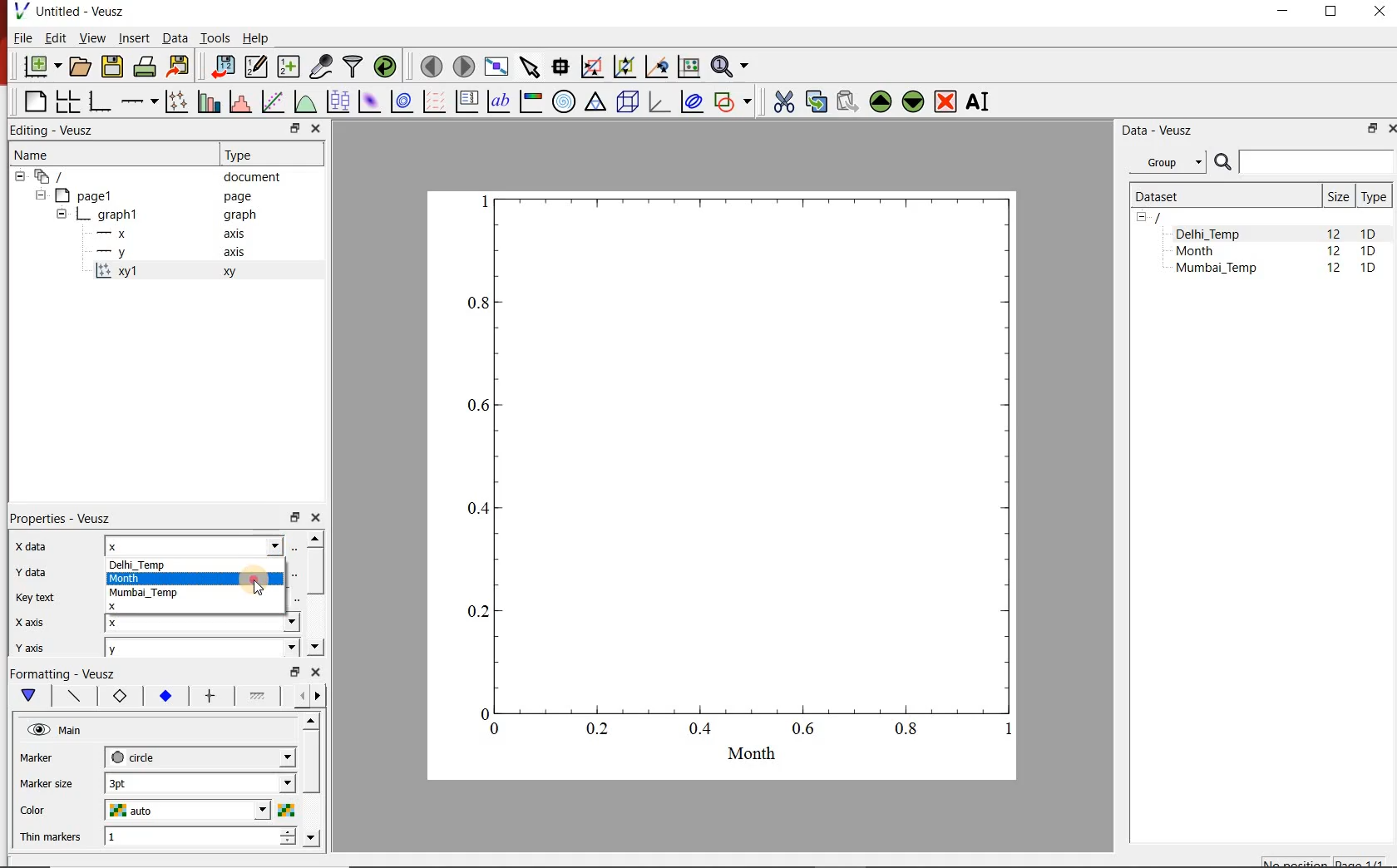 This screenshot has height=868, width=1397. I want to click on Delhi_Temp, so click(1211, 234).